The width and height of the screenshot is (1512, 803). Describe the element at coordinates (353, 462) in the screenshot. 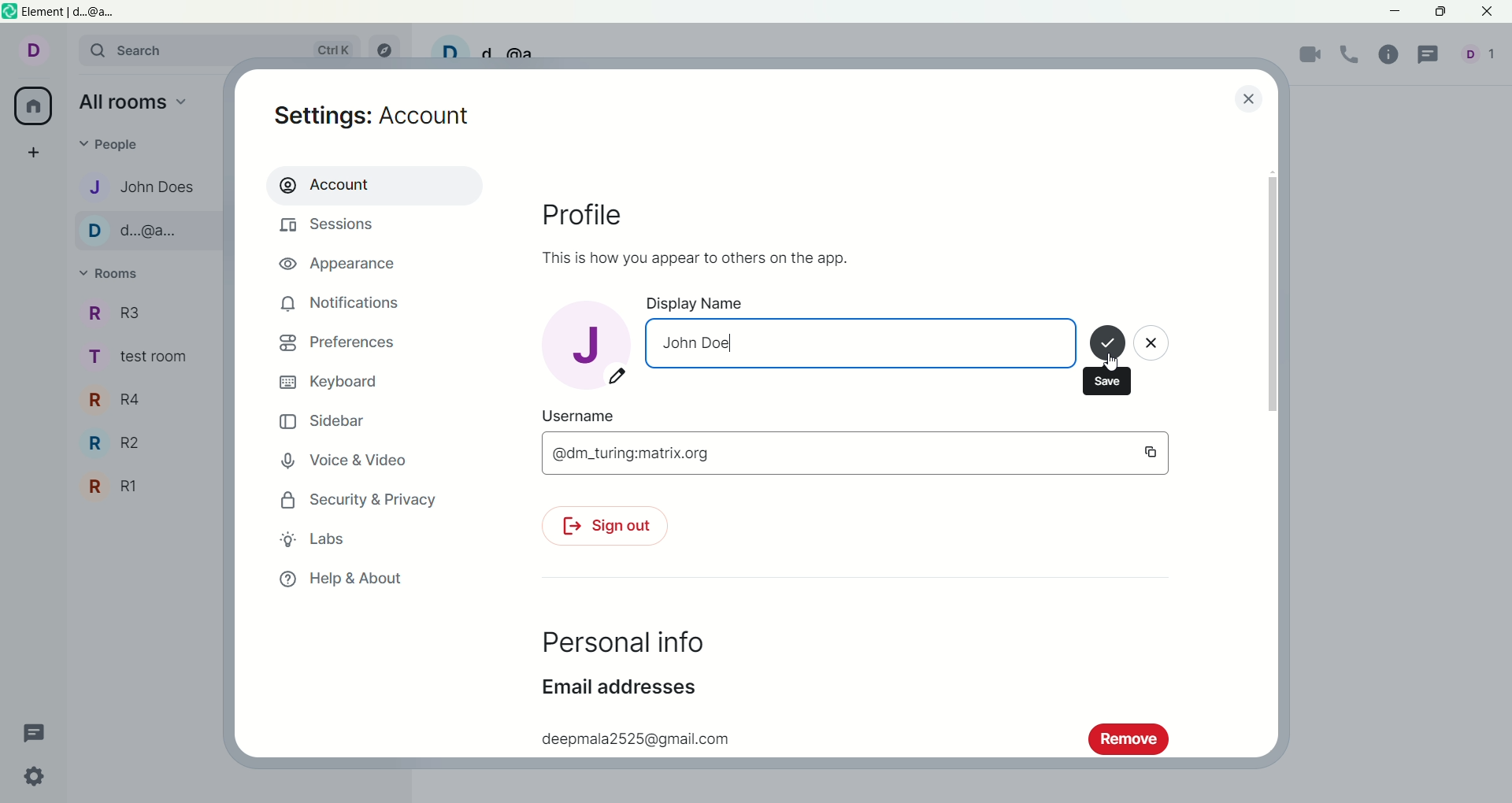

I see `voice and video` at that location.